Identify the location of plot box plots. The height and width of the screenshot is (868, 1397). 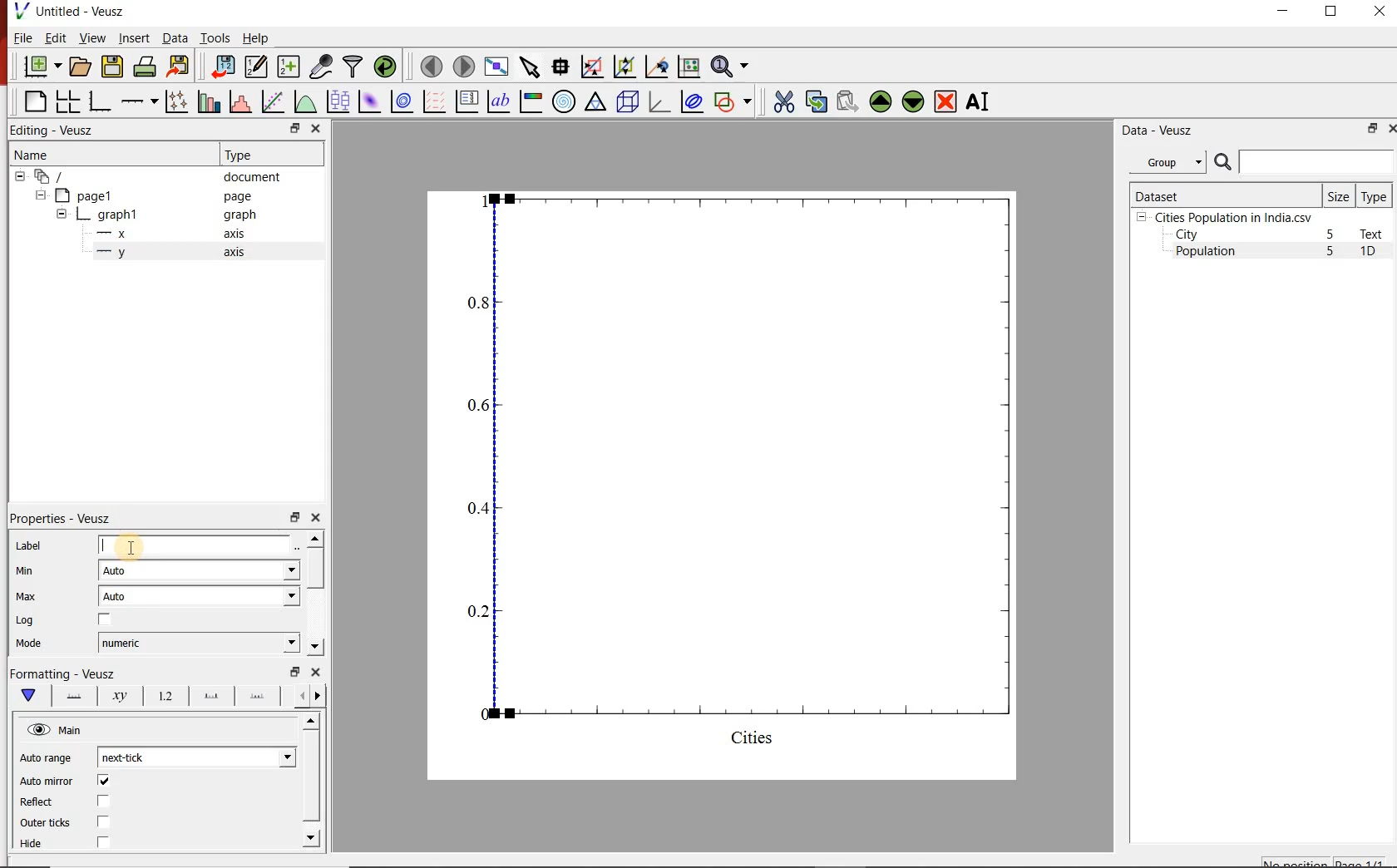
(337, 101).